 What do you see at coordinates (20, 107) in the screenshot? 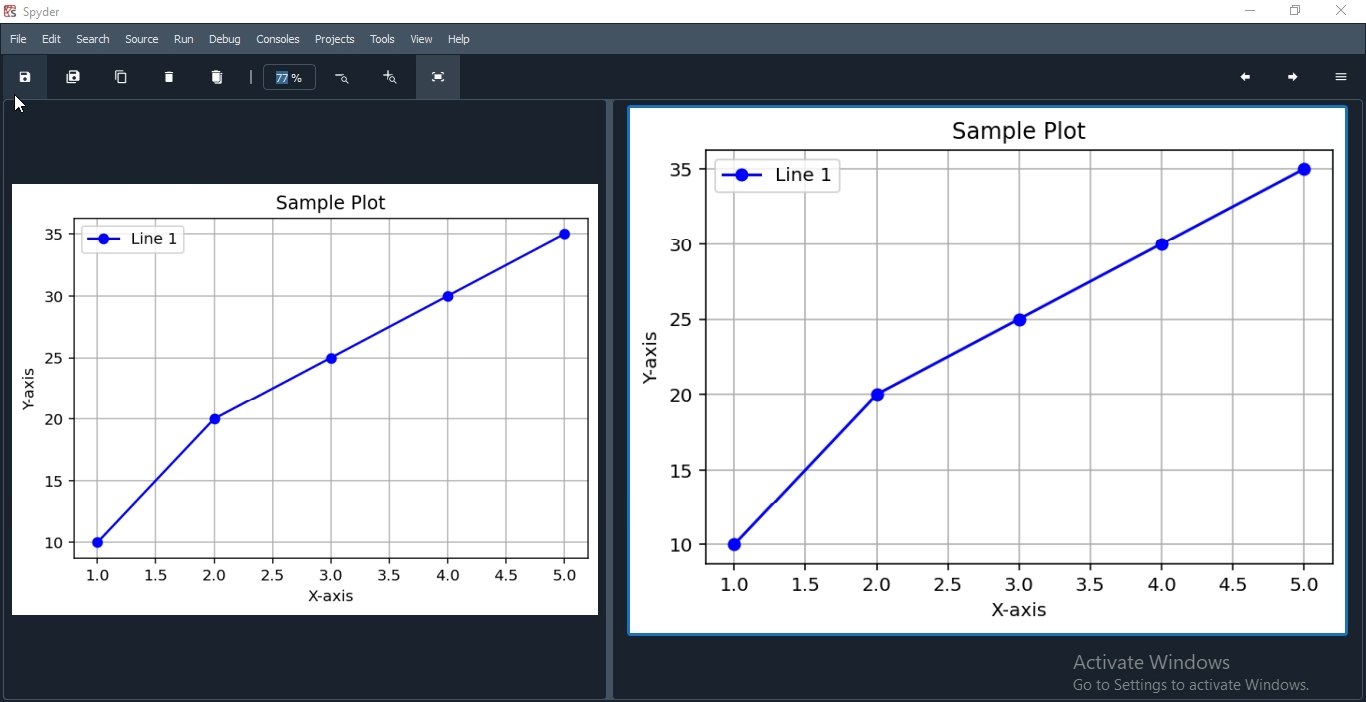
I see `cursor` at bounding box center [20, 107].